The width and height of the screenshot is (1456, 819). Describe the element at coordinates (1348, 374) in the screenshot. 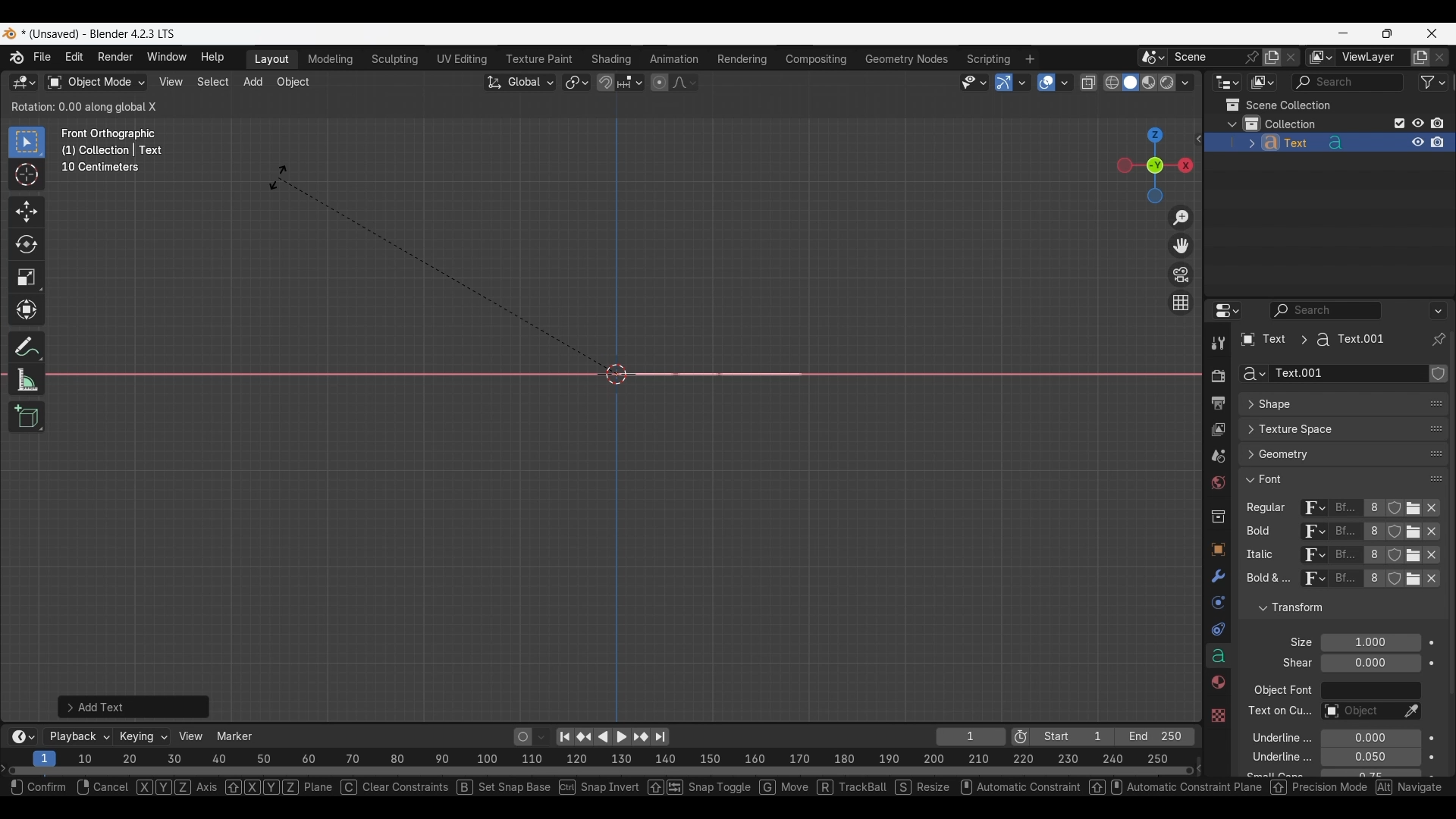

I see `Name` at that location.